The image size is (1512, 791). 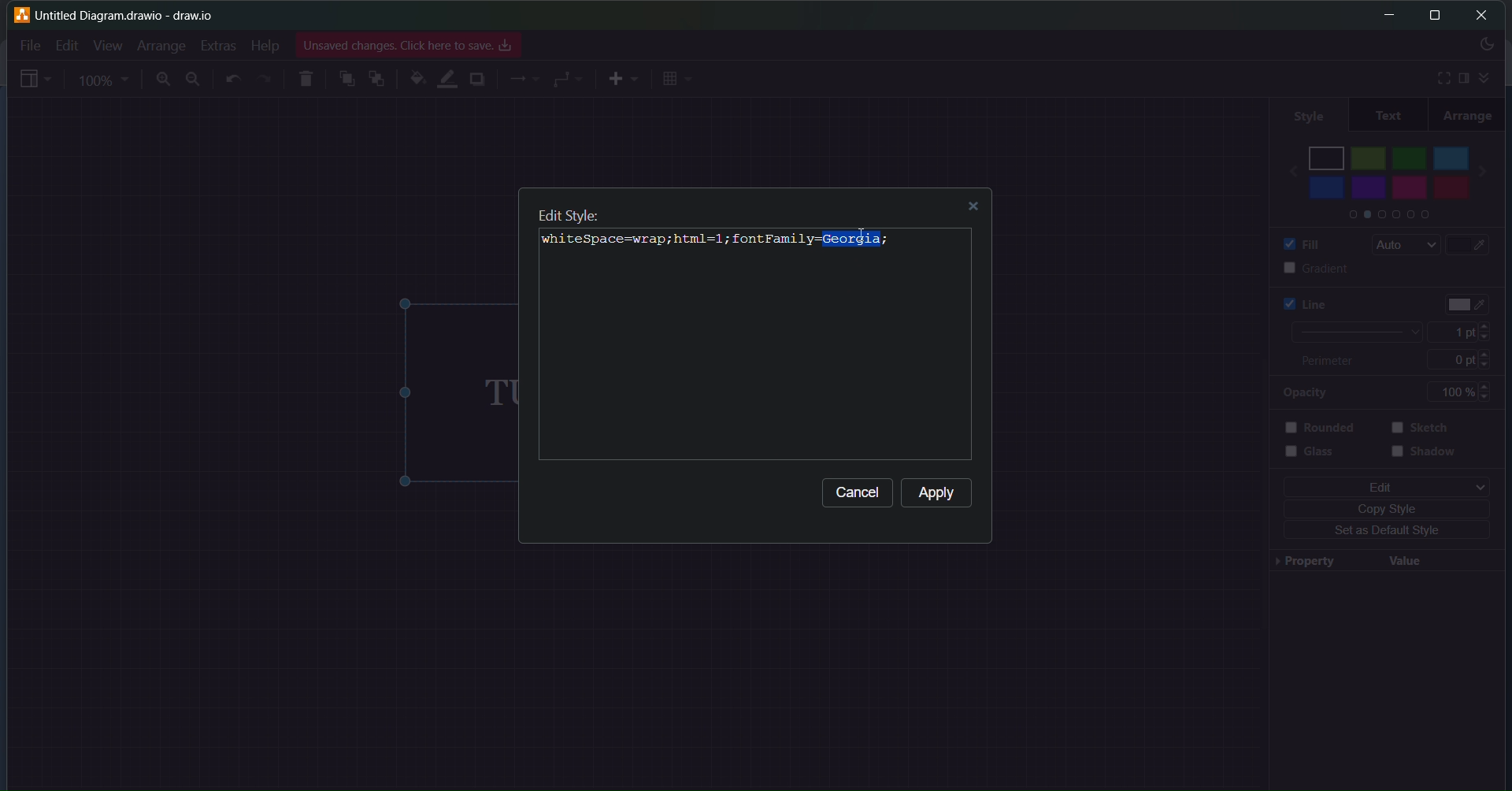 What do you see at coordinates (569, 79) in the screenshot?
I see `connector` at bounding box center [569, 79].